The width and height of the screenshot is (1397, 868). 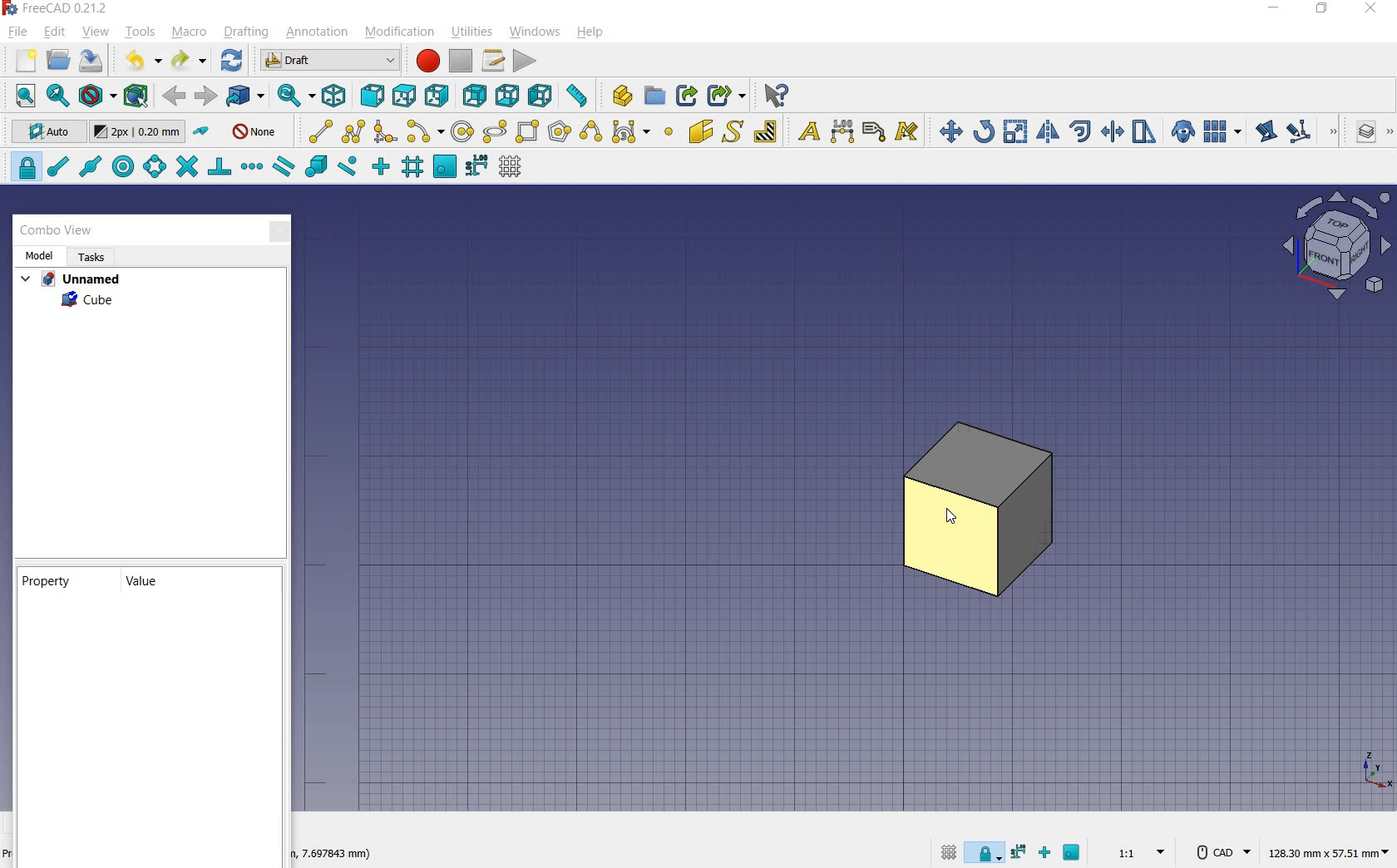 I want to click on change default size for new objects, so click(x=137, y=132).